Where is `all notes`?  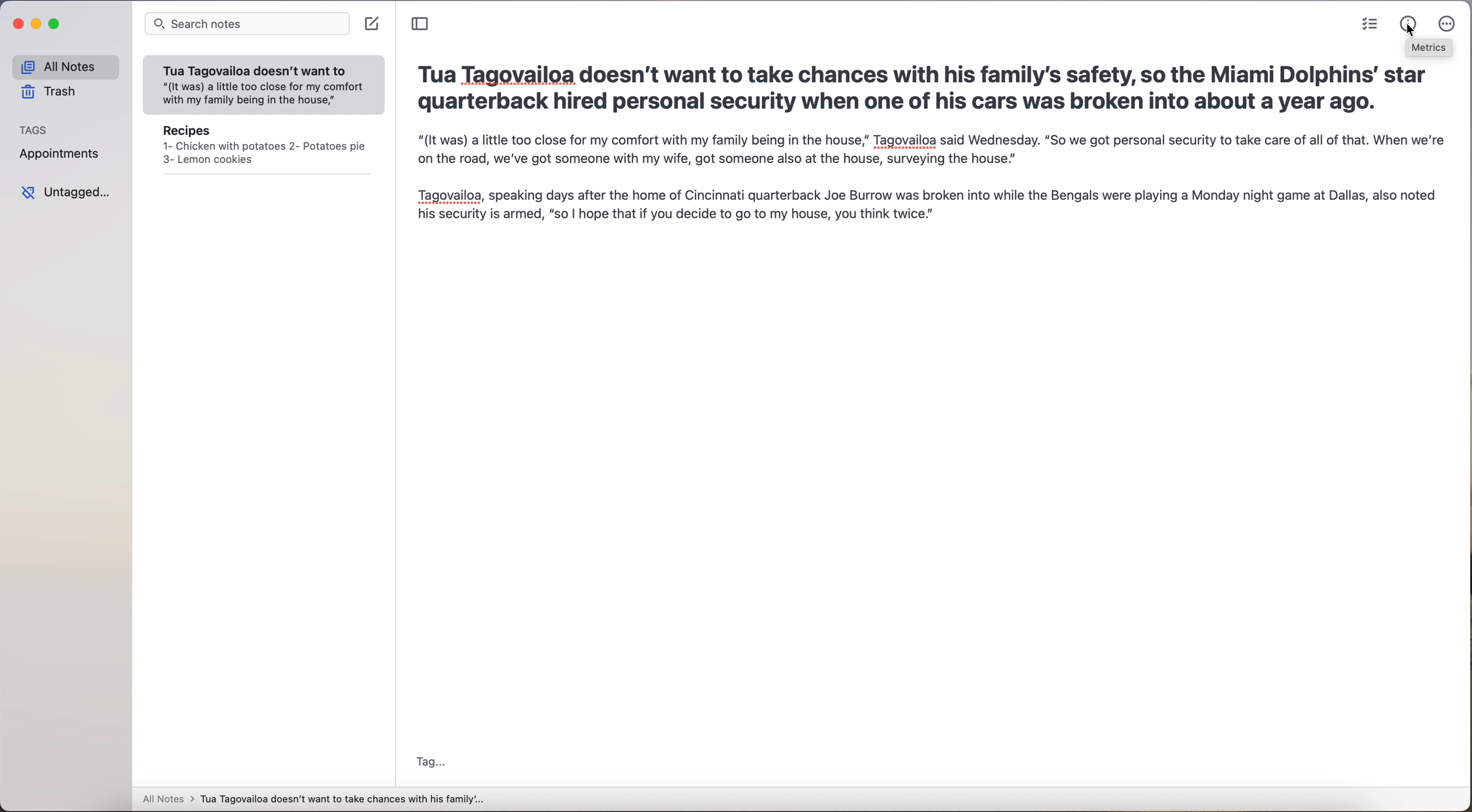
all notes is located at coordinates (62, 66).